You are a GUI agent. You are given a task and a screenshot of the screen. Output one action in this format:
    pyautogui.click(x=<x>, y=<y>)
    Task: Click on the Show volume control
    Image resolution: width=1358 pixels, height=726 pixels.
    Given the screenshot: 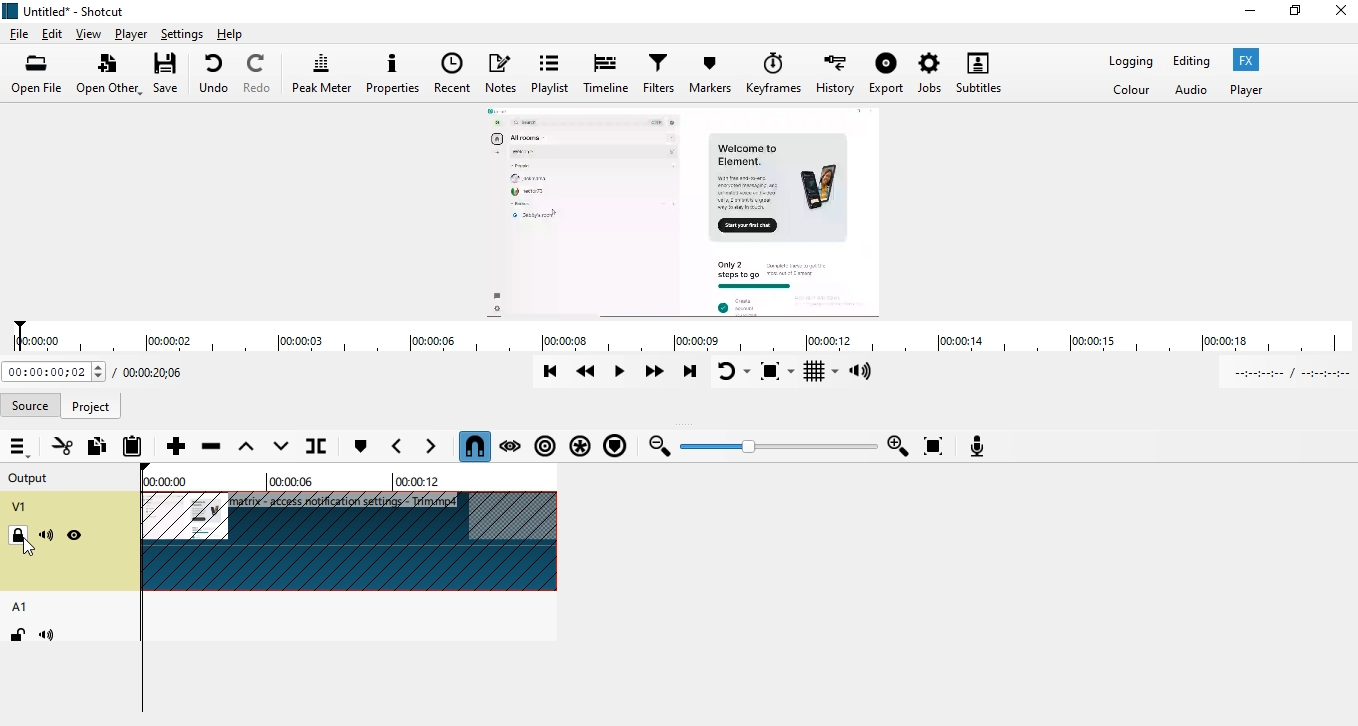 What is the action you would take?
    pyautogui.click(x=864, y=372)
    